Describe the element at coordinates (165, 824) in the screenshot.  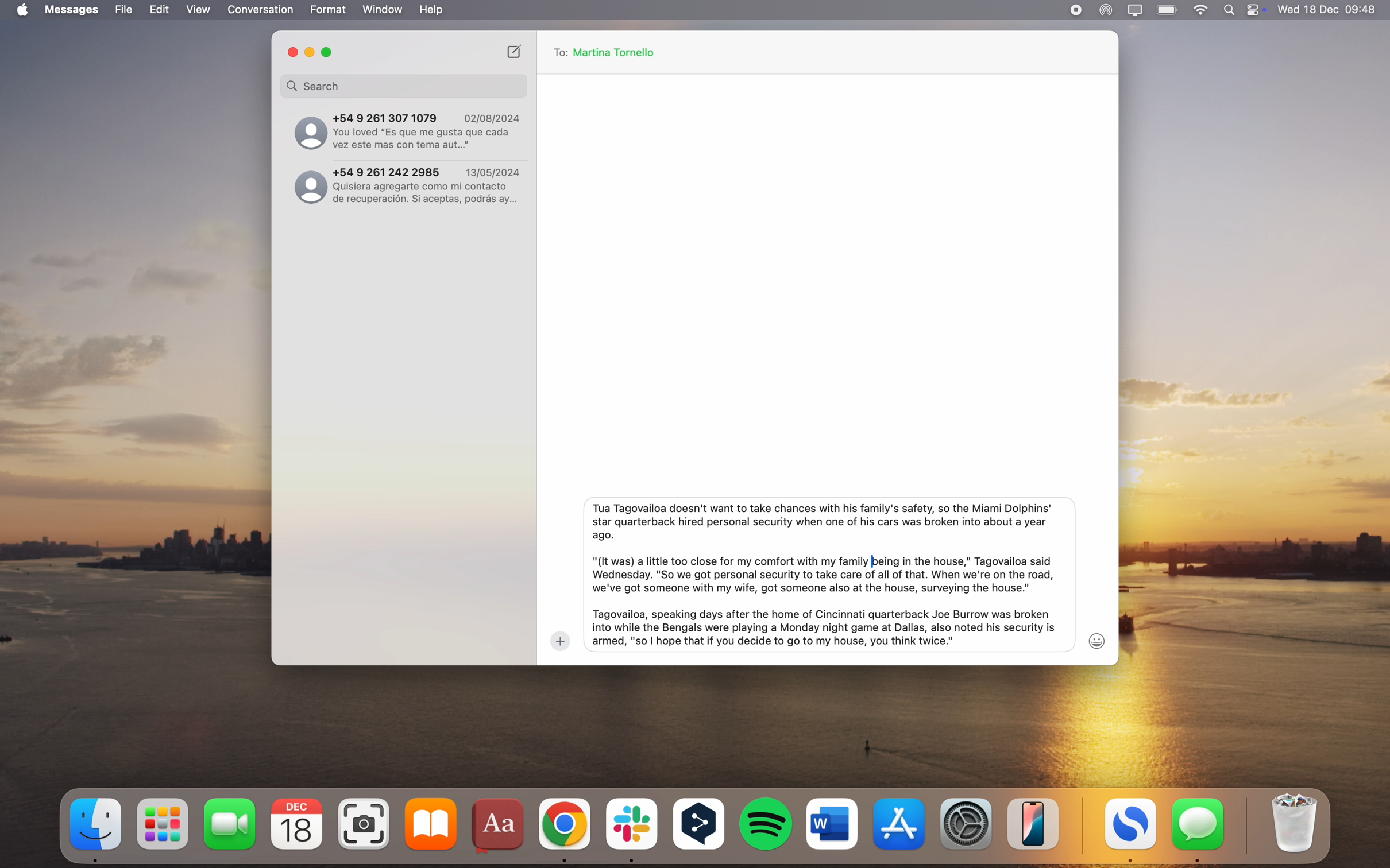
I see `launchpad` at that location.